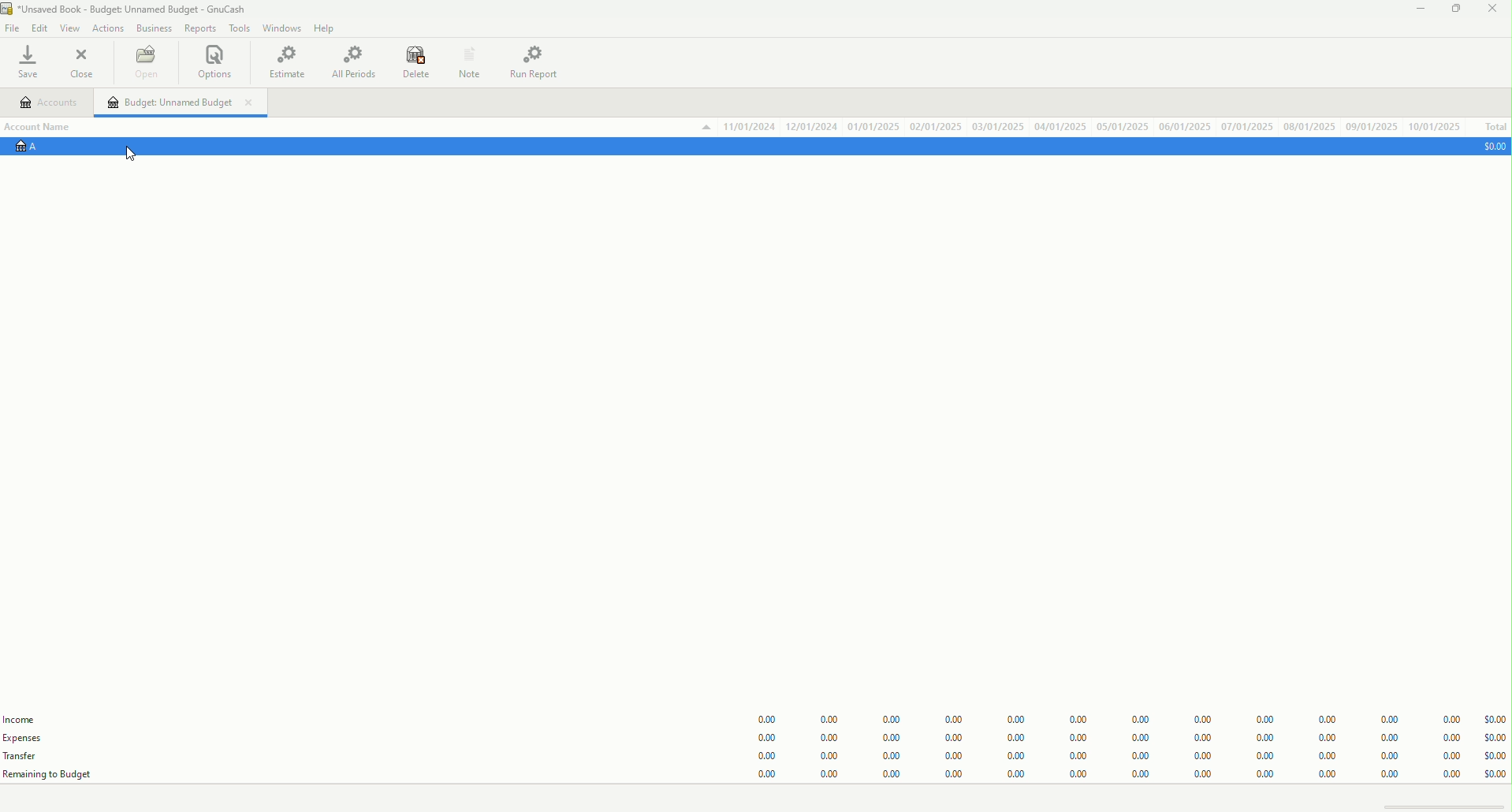  I want to click on Close, so click(1496, 9).